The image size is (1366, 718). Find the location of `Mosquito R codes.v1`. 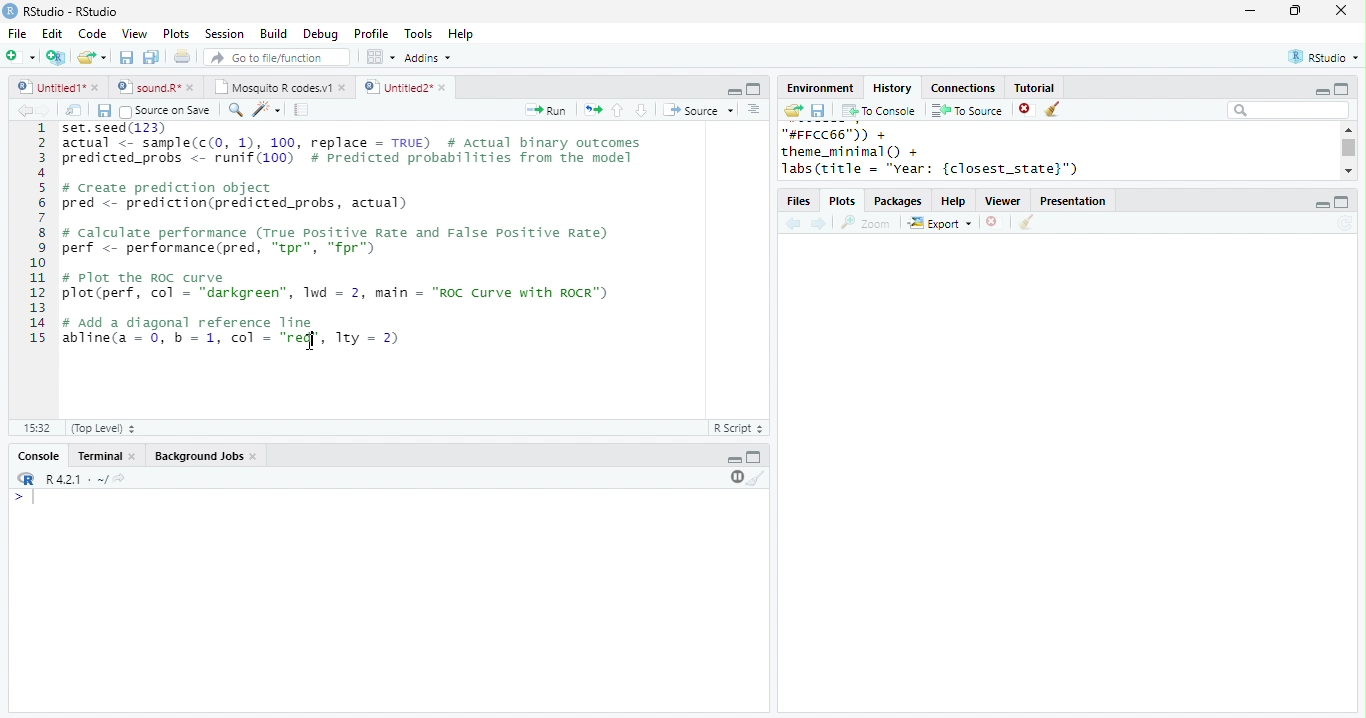

Mosquito R codes.v1 is located at coordinates (273, 87).